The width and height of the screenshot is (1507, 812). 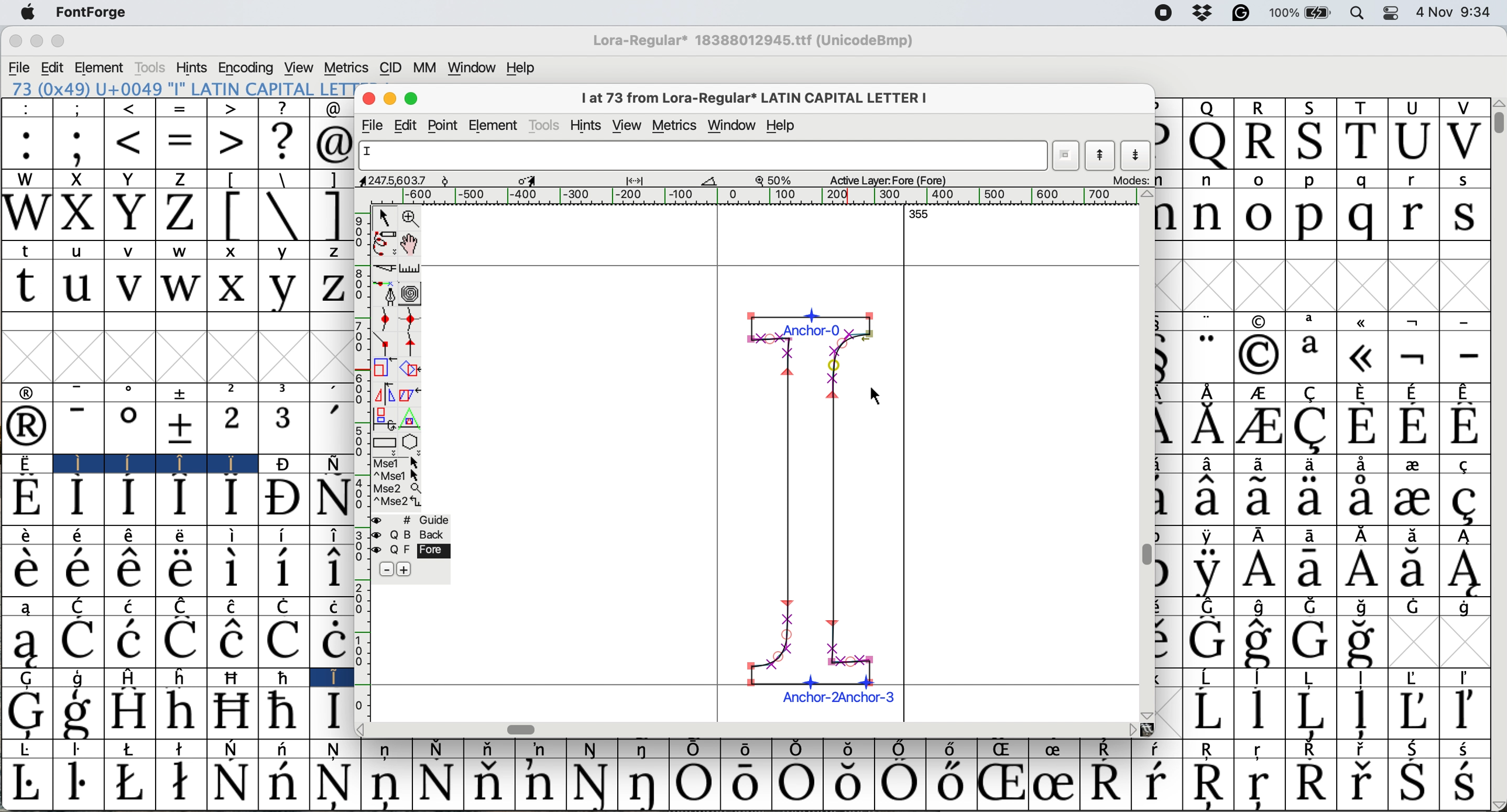 I want to click on =, so click(x=183, y=109).